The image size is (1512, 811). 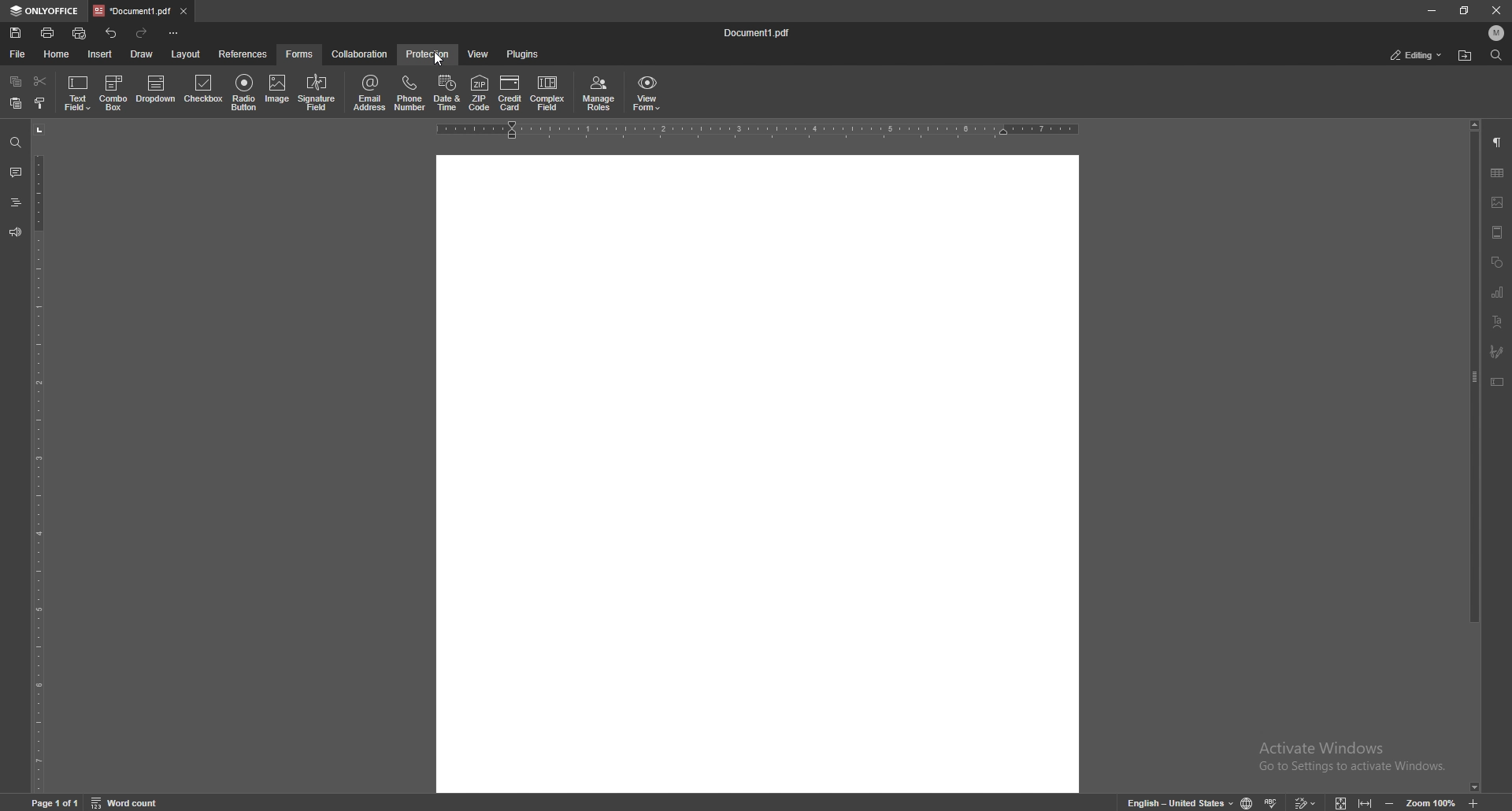 What do you see at coordinates (1497, 10) in the screenshot?
I see `close` at bounding box center [1497, 10].